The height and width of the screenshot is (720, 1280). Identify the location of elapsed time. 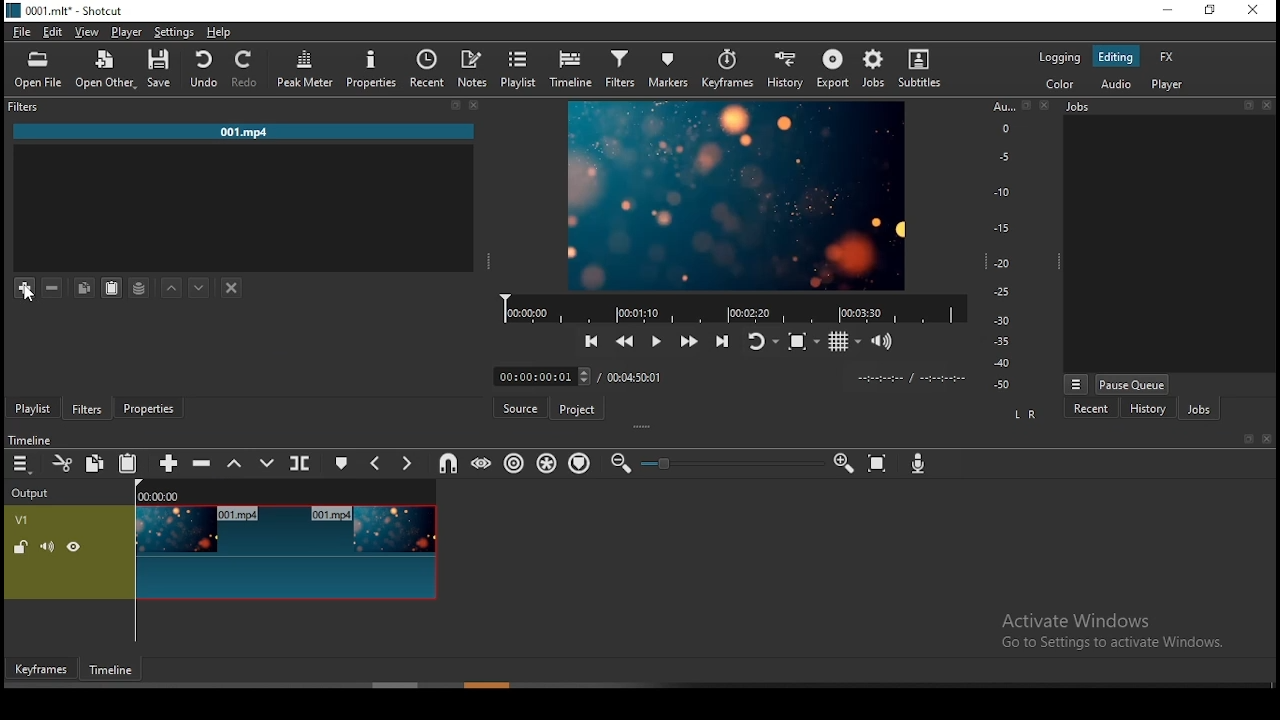
(543, 376).